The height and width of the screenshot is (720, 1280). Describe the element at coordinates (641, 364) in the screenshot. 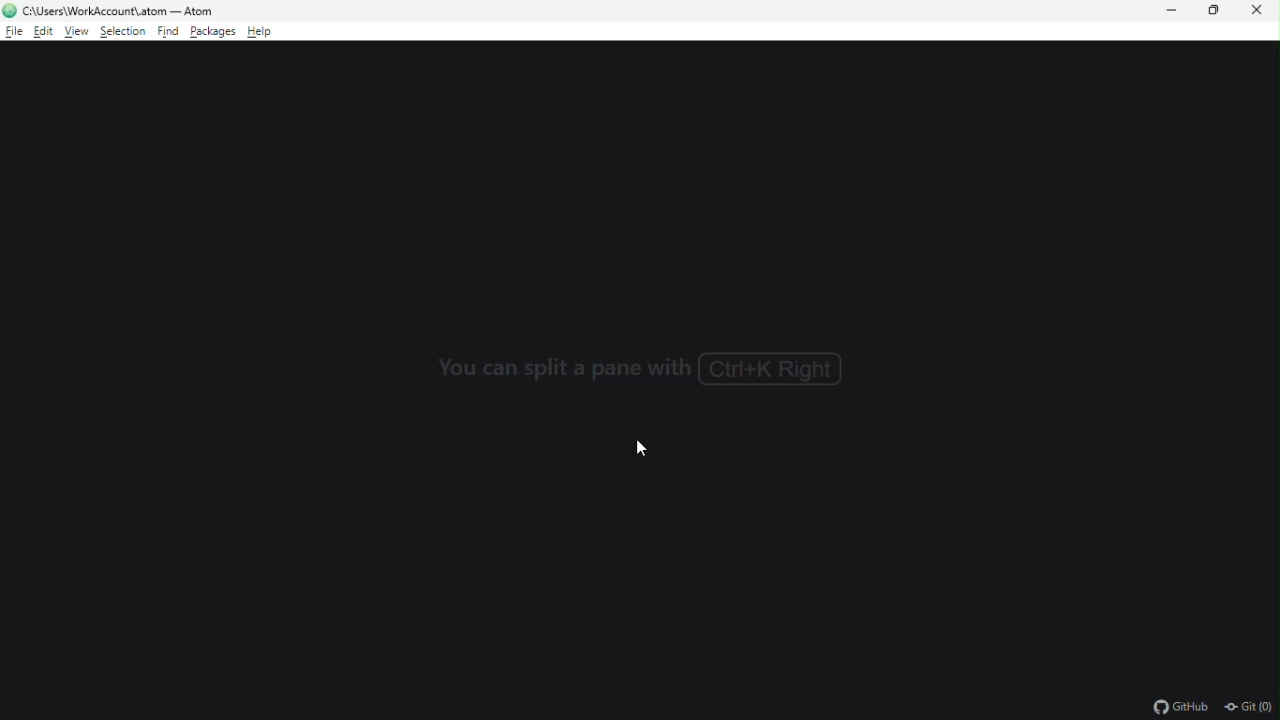

I see `Text: You can split a pane with Ctrl+K Right` at that location.